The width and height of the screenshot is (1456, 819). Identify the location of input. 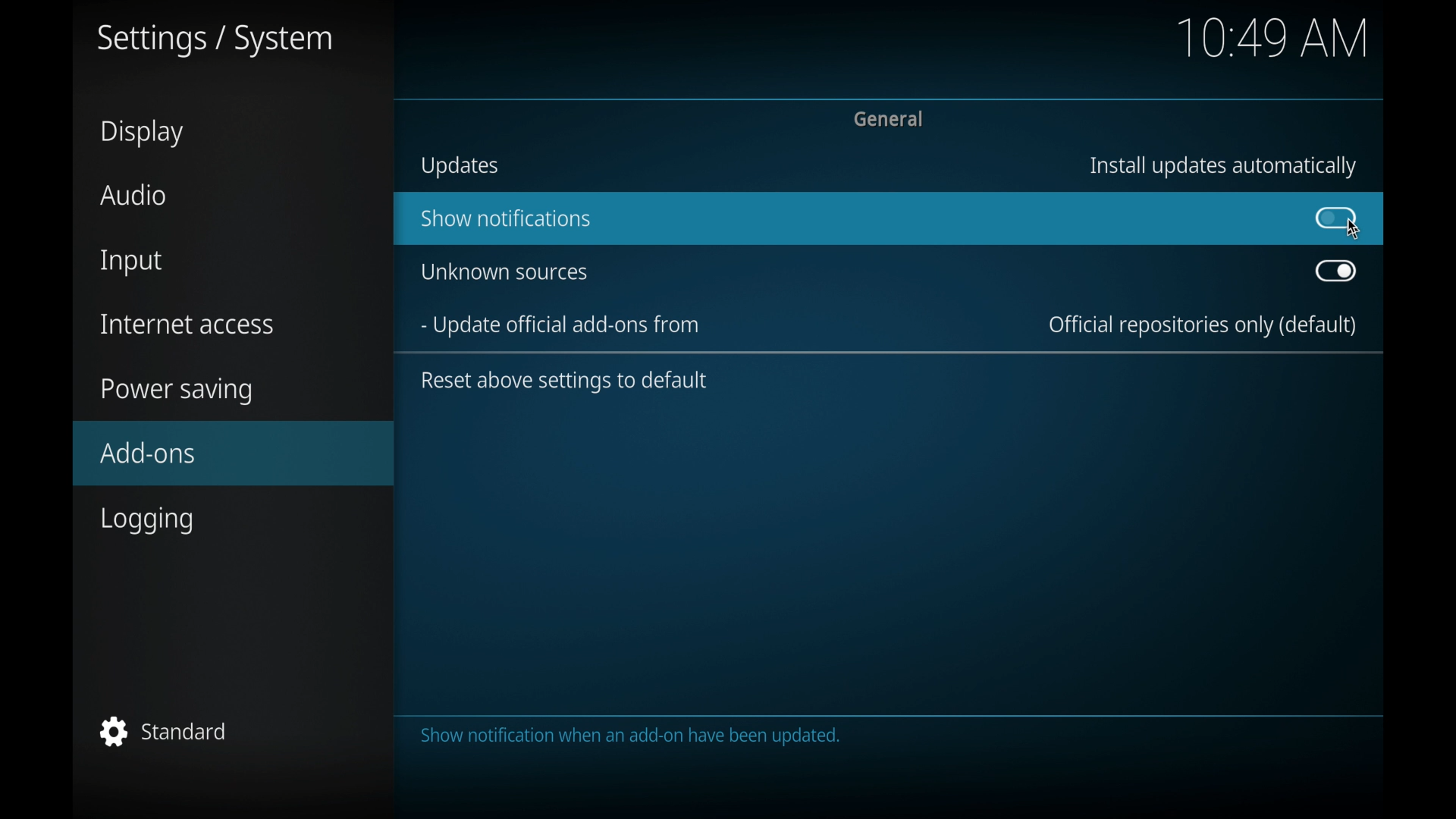
(132, 263).